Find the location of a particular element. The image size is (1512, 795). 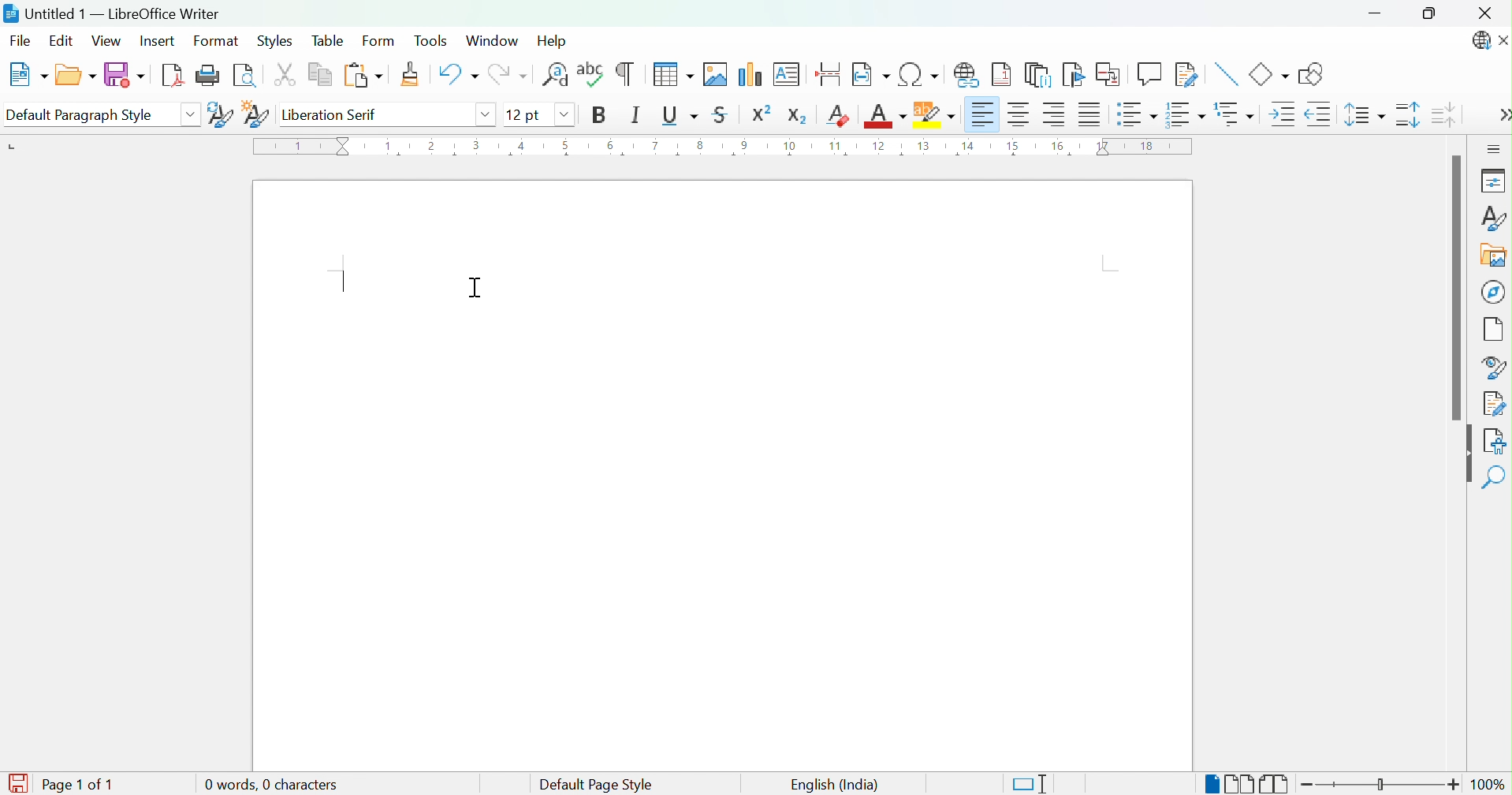

File is located at coordinates (21, 39).